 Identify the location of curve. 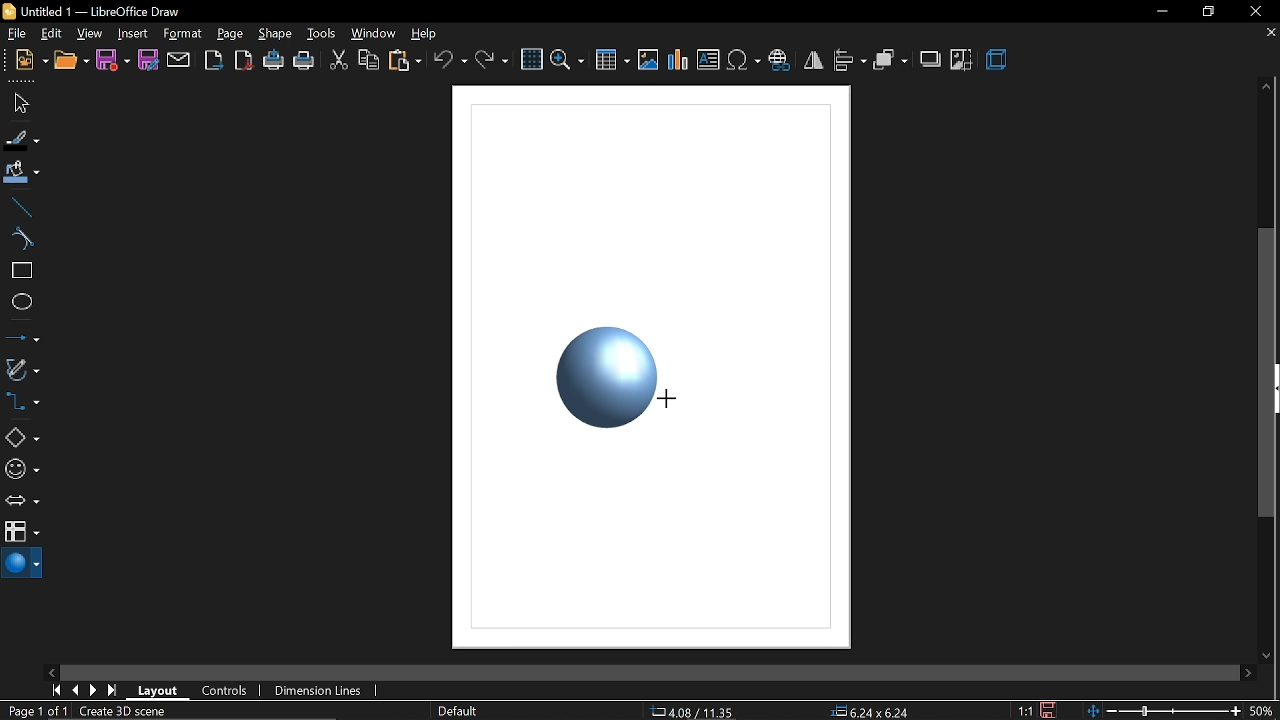
(21, 238).